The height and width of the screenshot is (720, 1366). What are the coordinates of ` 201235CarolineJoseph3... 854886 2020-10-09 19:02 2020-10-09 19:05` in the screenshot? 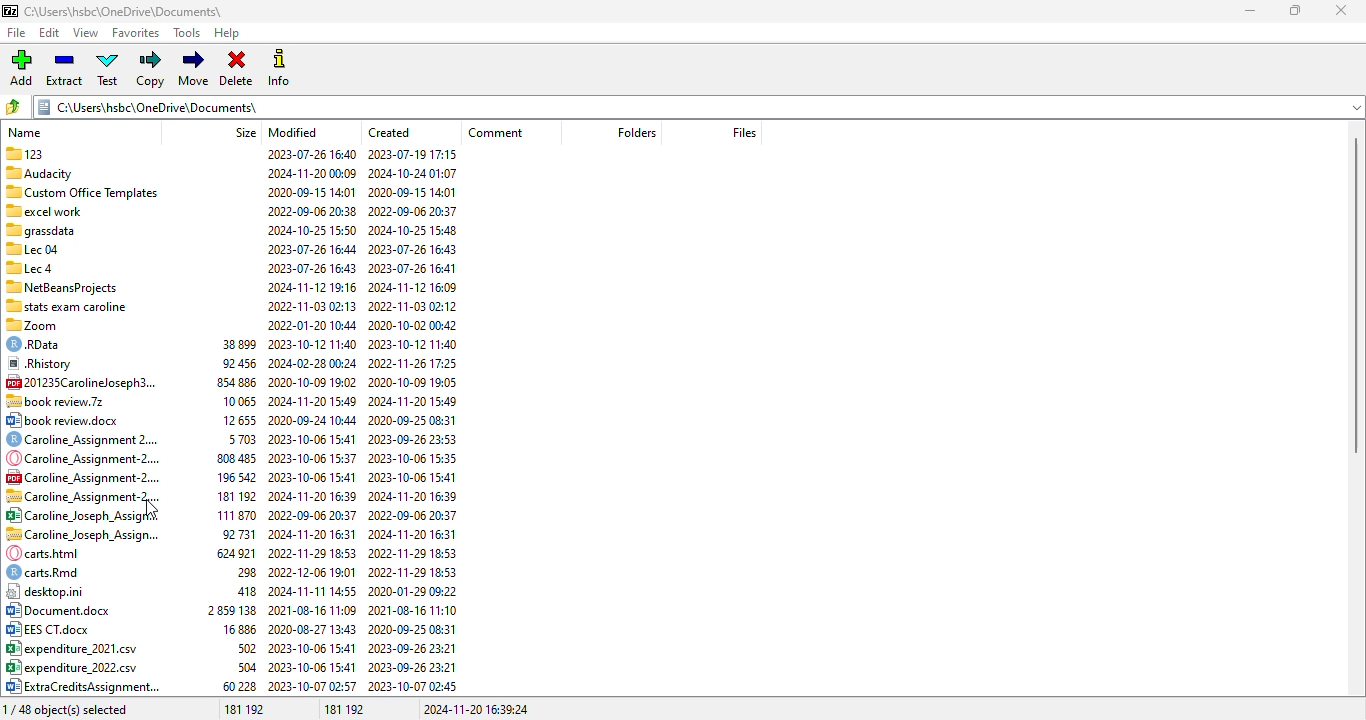 It's located at (232, 382).